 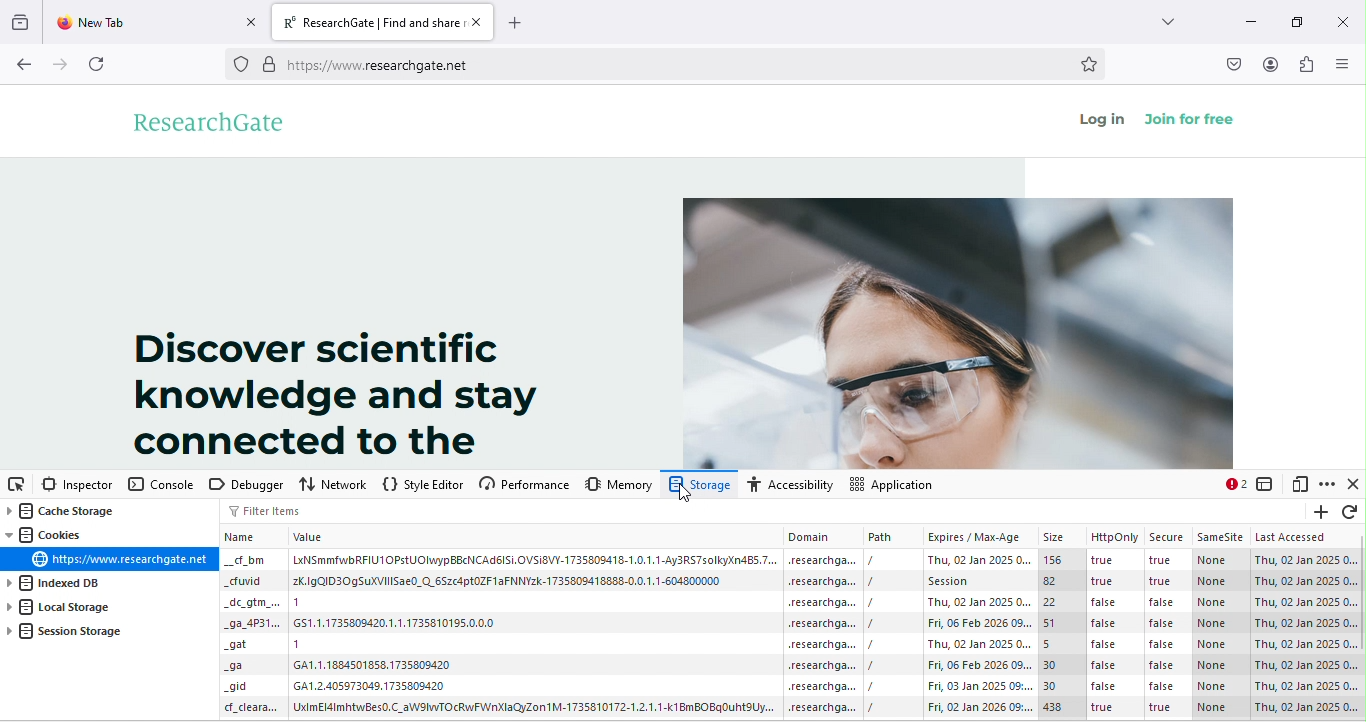 What do you see at coordinates (874, 667) in the screenshot?
I see `/` at bounding box center [874, 667].